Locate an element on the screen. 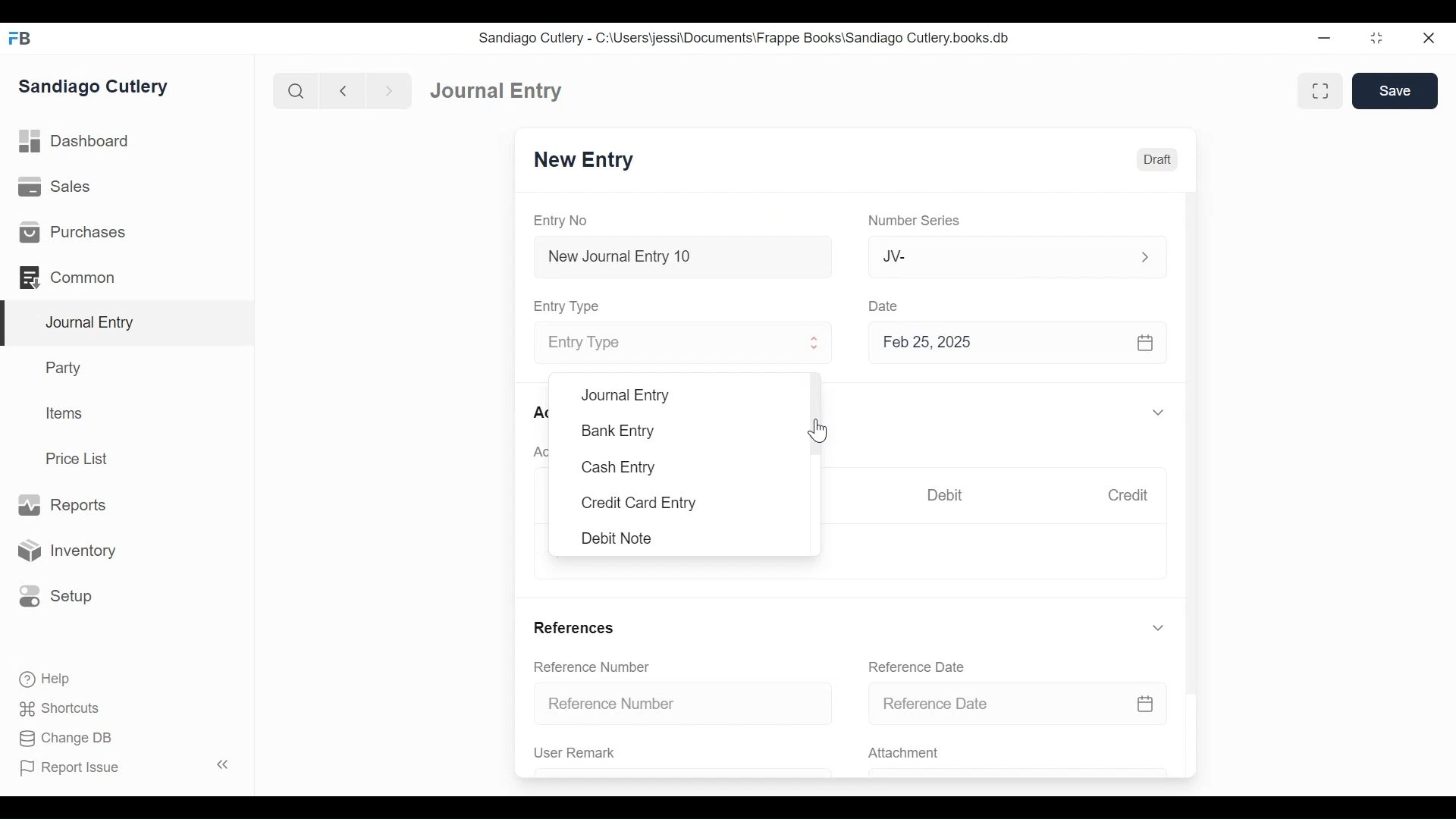  Attachment is located at coordinates (906, 754).